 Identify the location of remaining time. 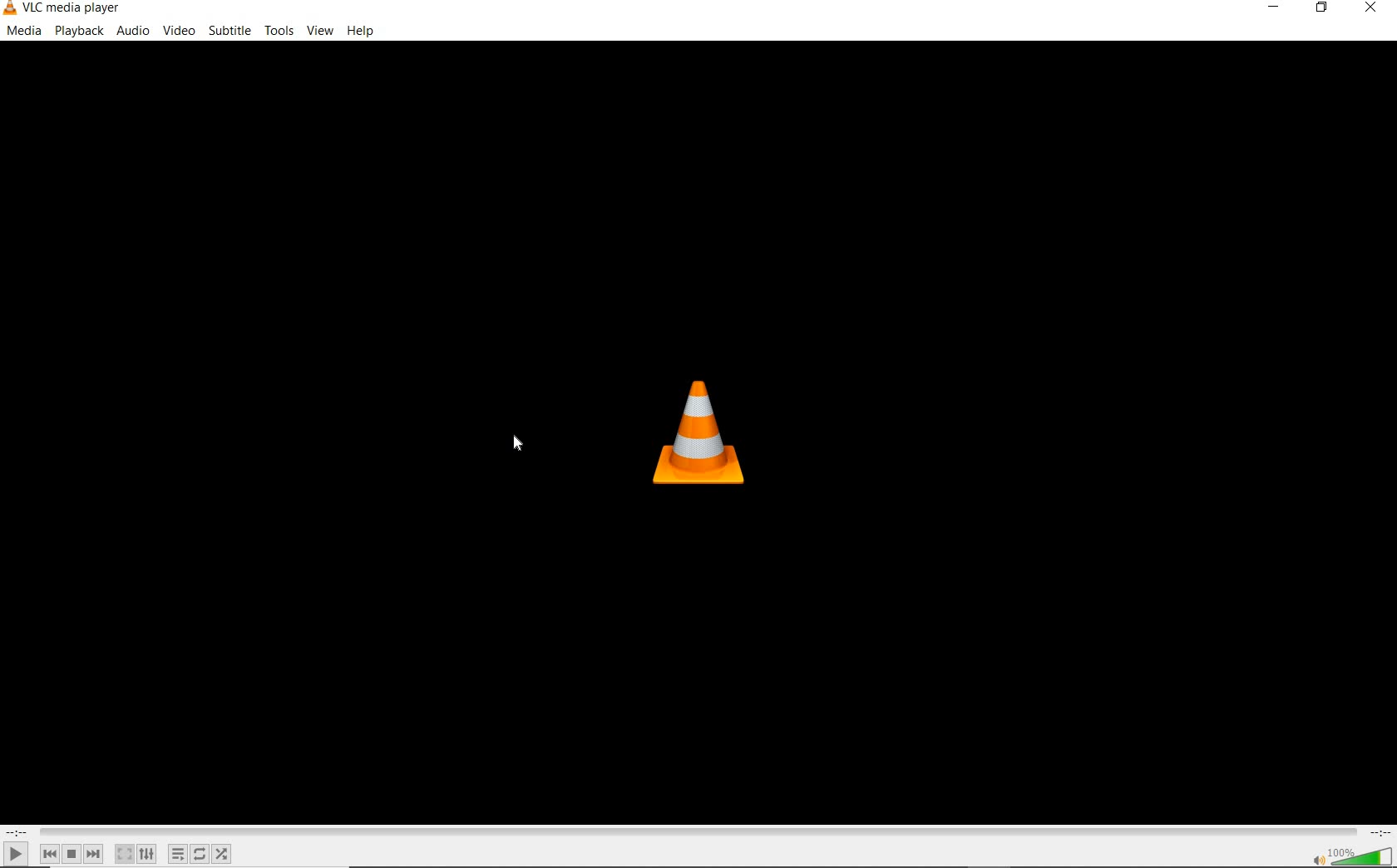
(1379, 832).